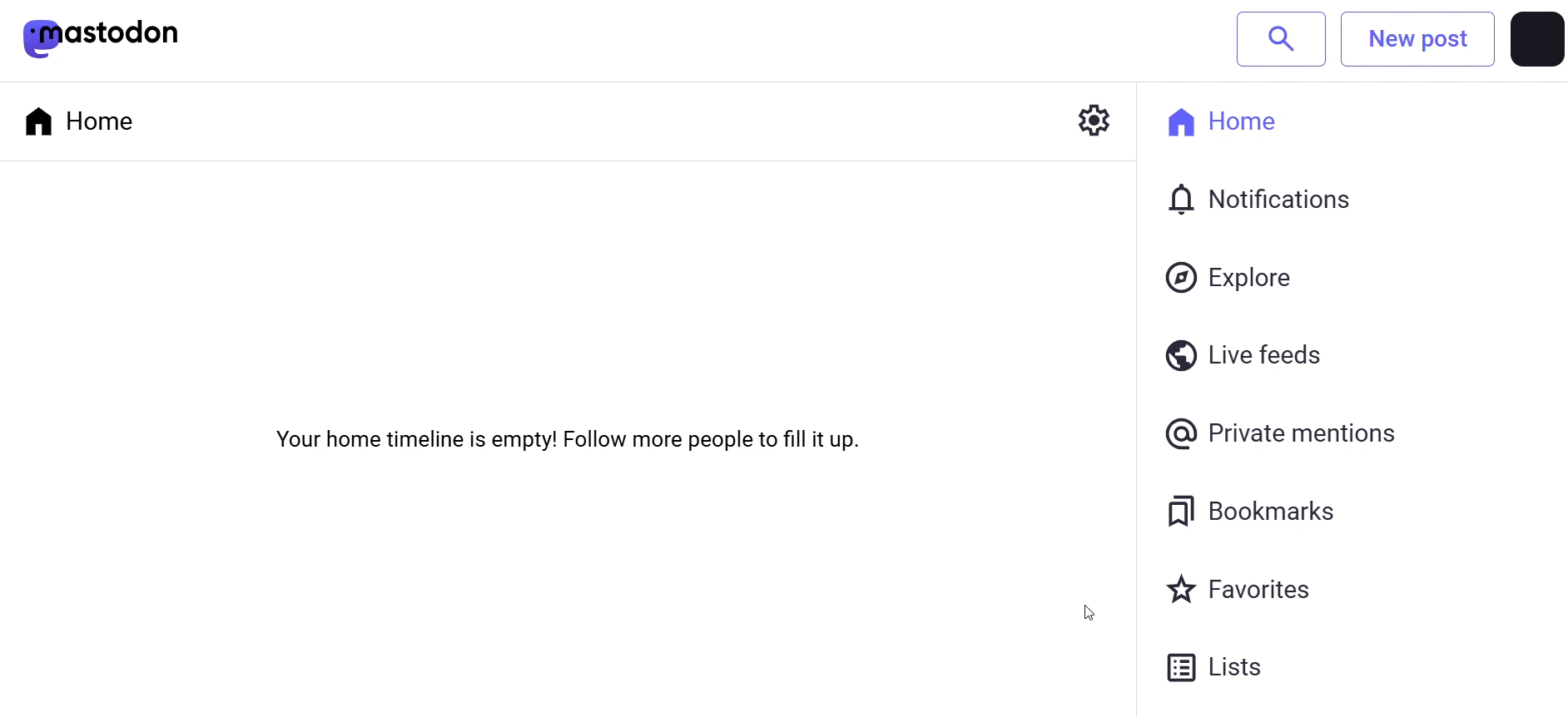  I want to click on mastodon, so click(105, 38).